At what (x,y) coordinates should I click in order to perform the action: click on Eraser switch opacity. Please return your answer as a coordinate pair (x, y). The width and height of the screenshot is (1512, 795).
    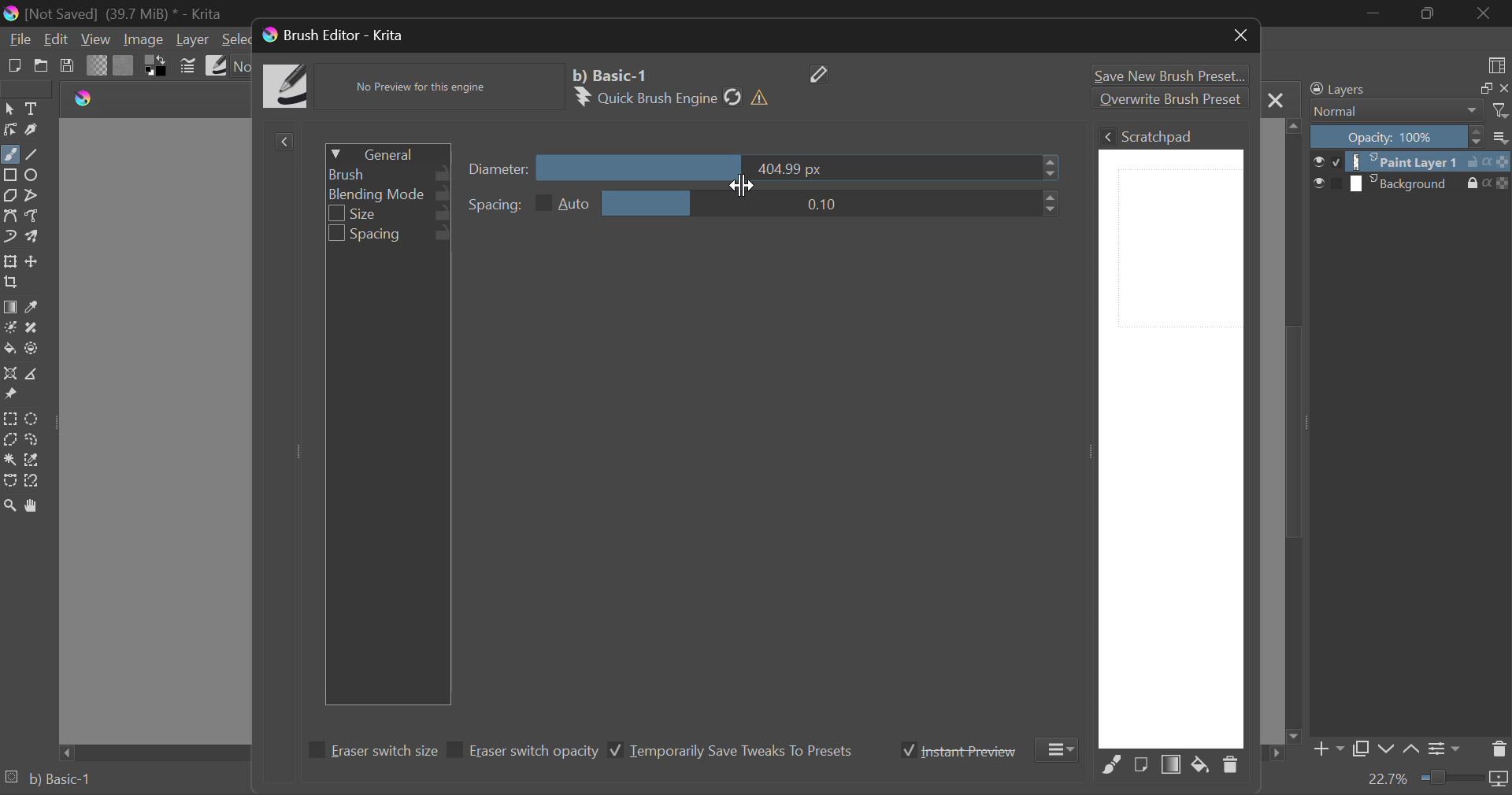
    Looking at the image, I should click on (524, 752).